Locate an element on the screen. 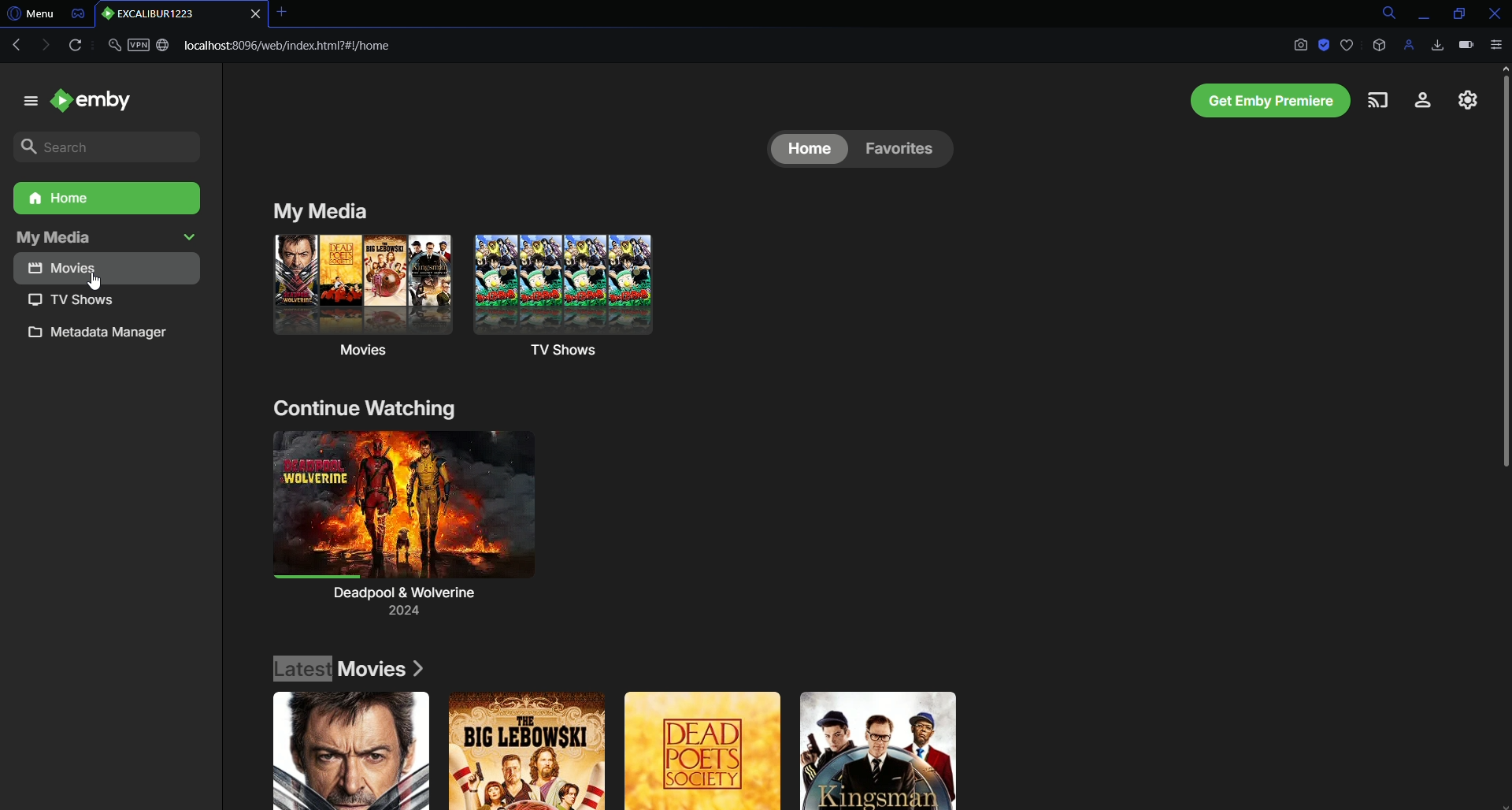 Image resolution: width=1512 pixels, height=810 pixels. Forward is located at coordinates (43, 45).